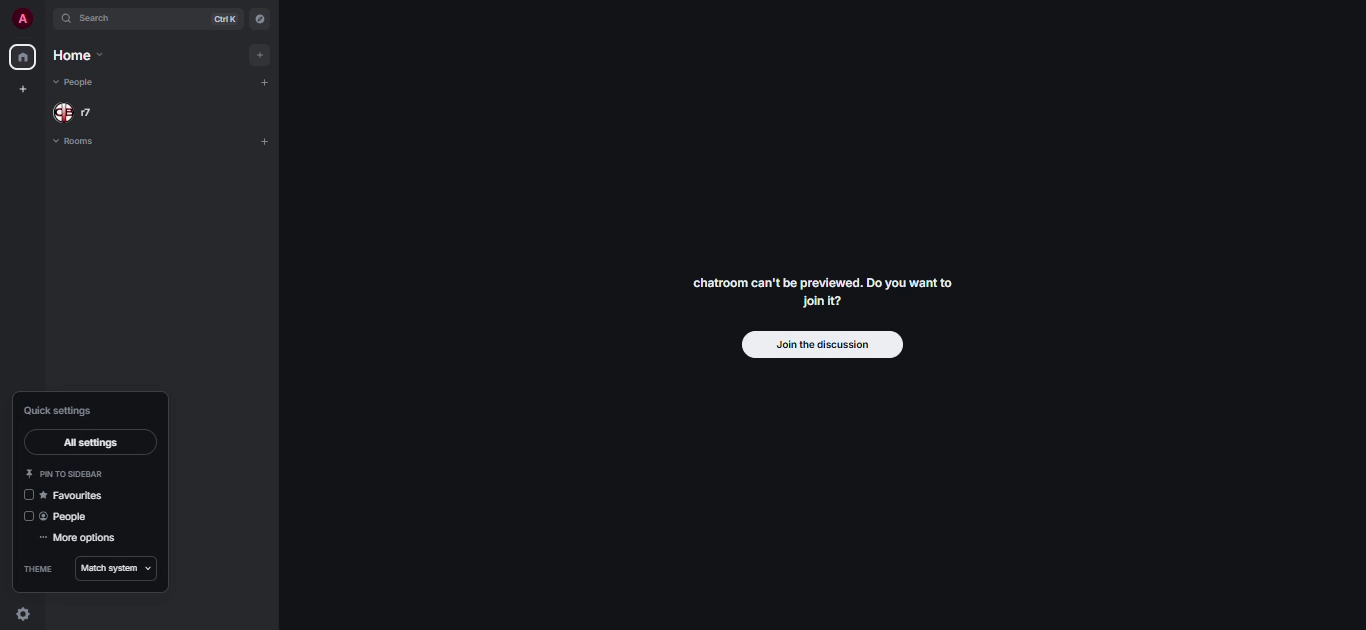 The height and width of the screenshot is (630, 1366). Describe the element at coordinates (28, 495) in the screenshot. I see `click to enable` at that location.